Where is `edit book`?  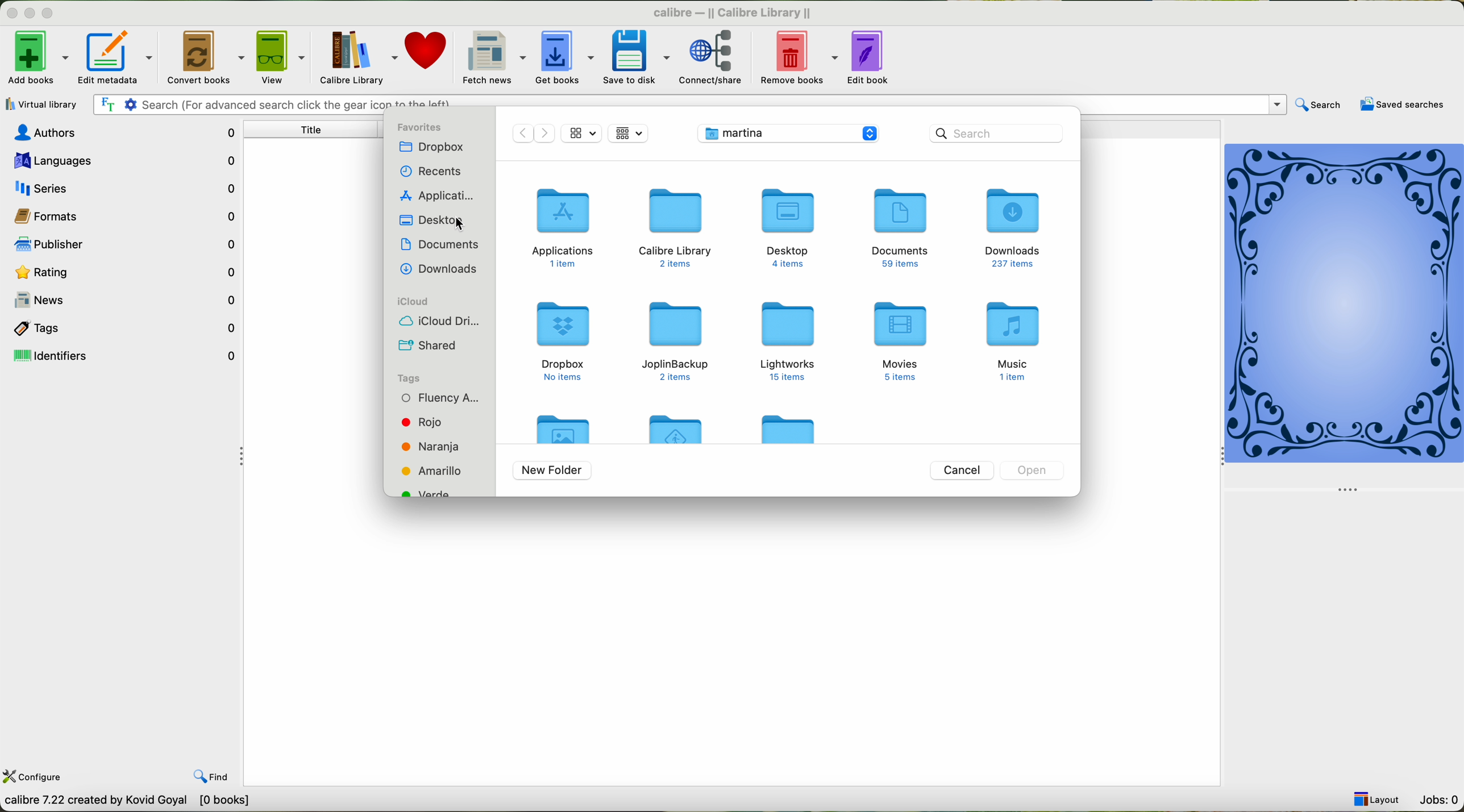 edit book is located at coordinates (871, 59).